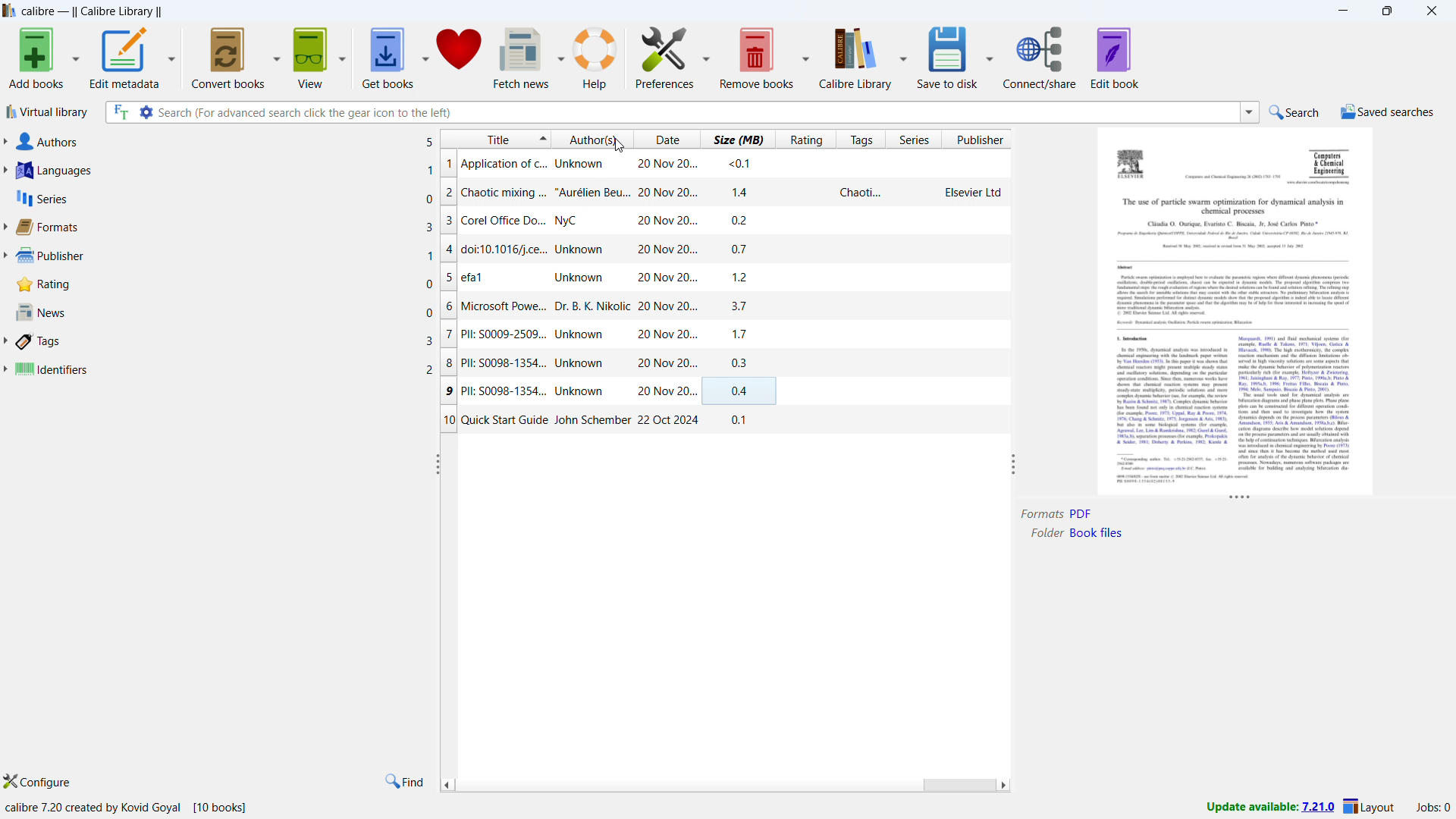 The width and height of the screenshot is (1456, 819). Describe the element at coordinates (121, 112) in the screenshot. I see `search full text` at that location.